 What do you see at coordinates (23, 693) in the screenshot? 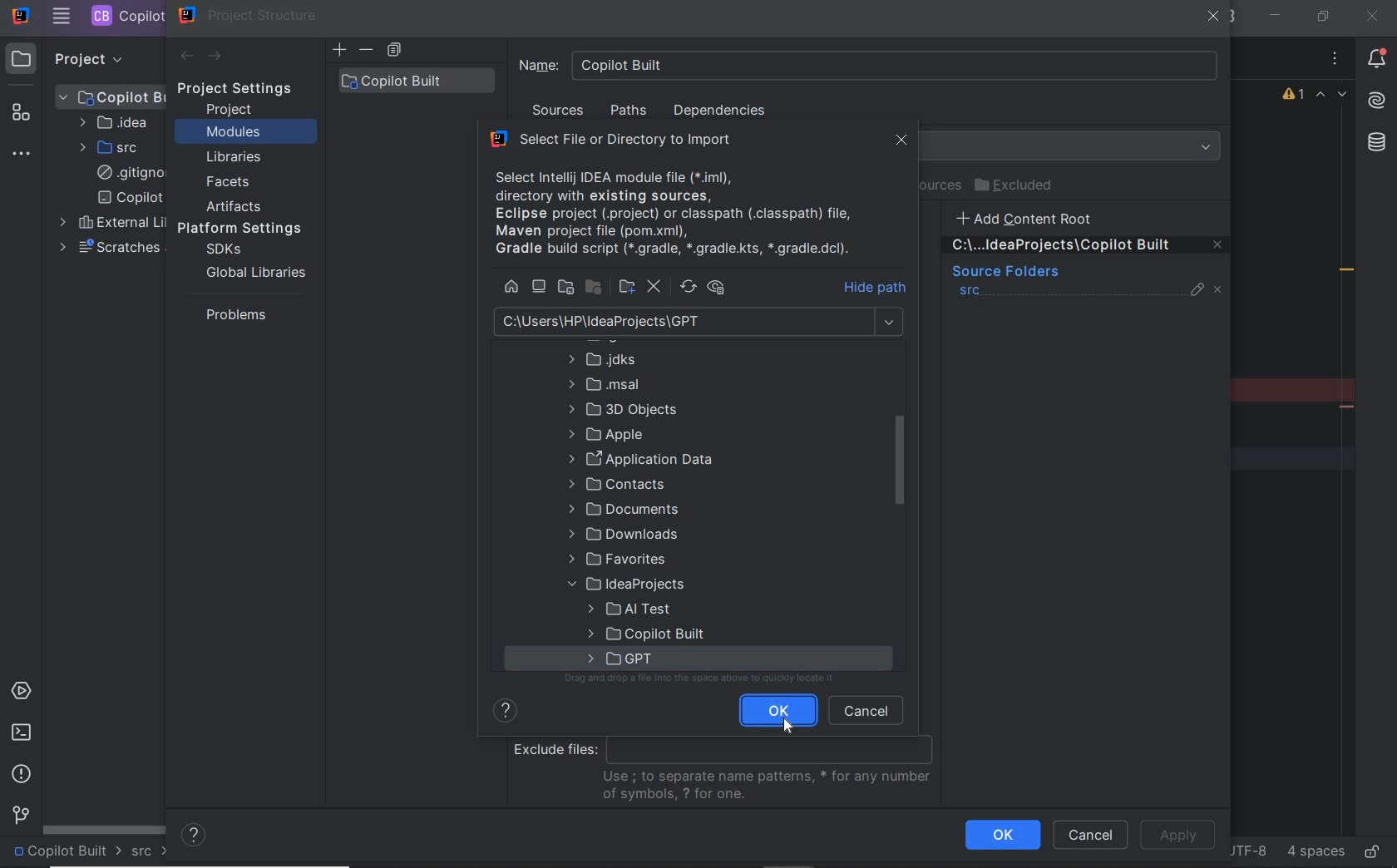
I see `services` at bounding box center [23, 693].